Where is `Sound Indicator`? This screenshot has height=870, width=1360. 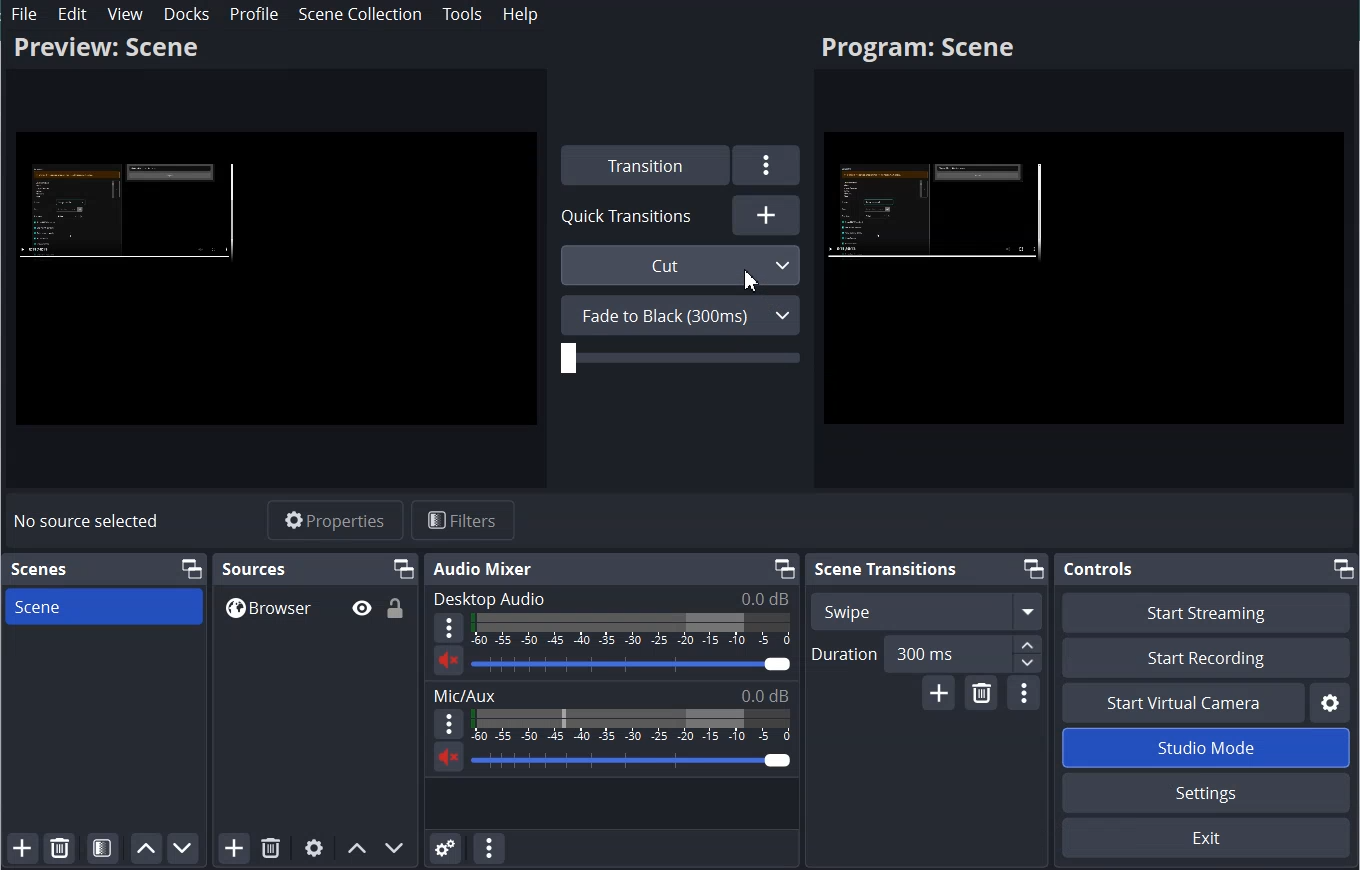 Sound Indicator is located at coordinates (632, 630).